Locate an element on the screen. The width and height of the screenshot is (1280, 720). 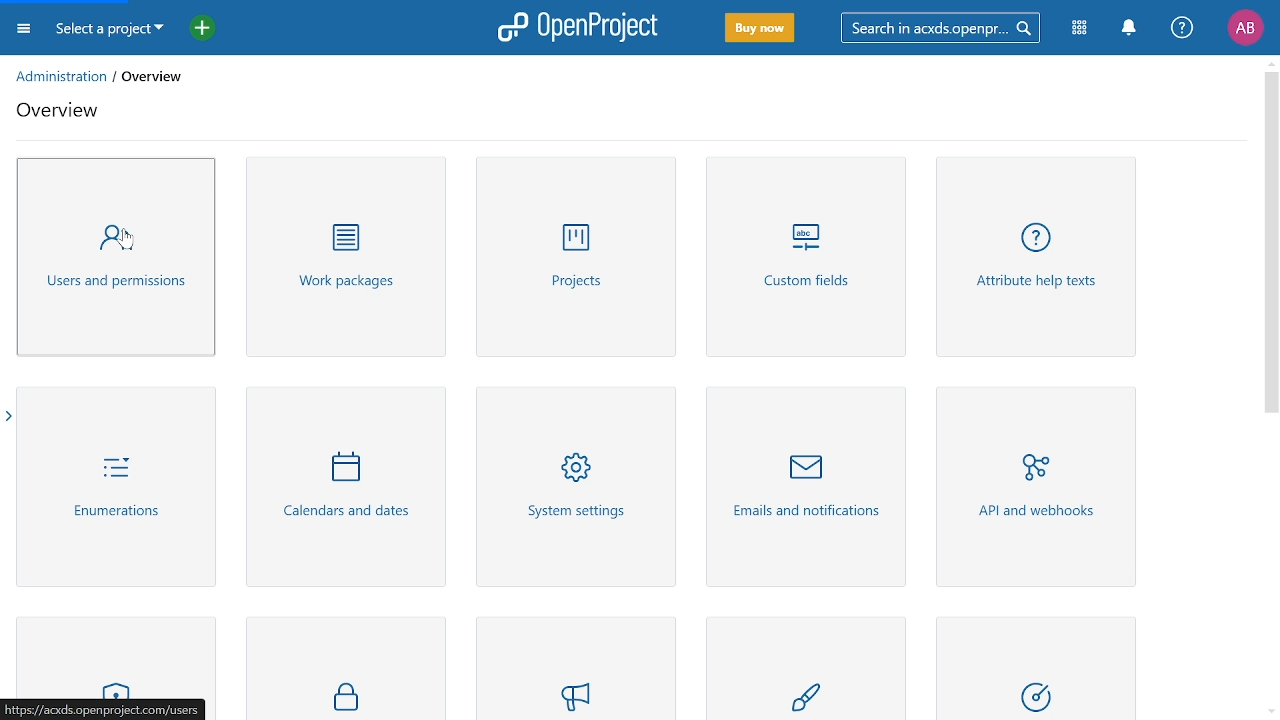
Calender and dates is located at coordinates (341, 489).